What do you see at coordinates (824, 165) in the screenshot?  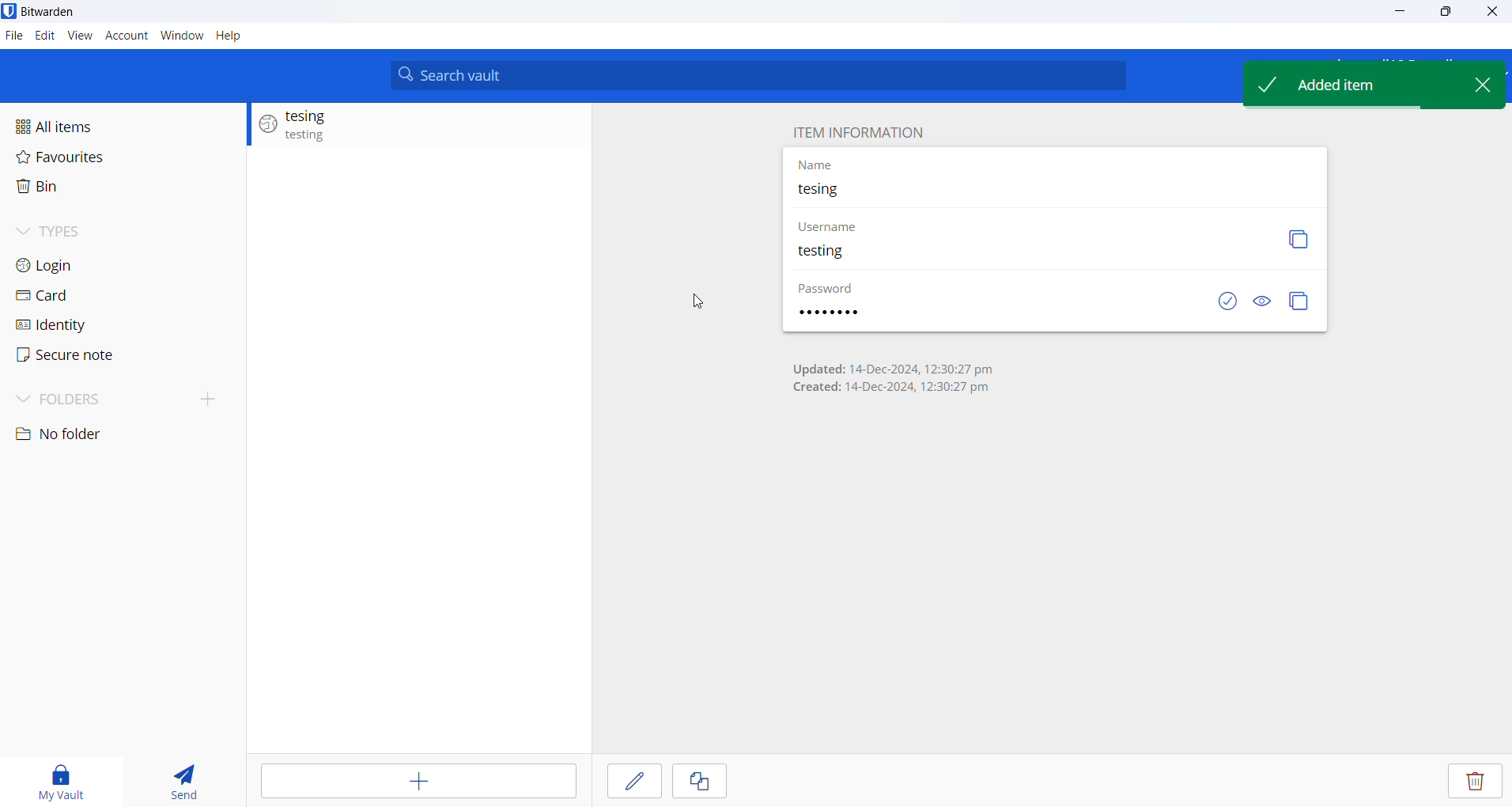 I see `name heading` at bounding box center [824, 165].